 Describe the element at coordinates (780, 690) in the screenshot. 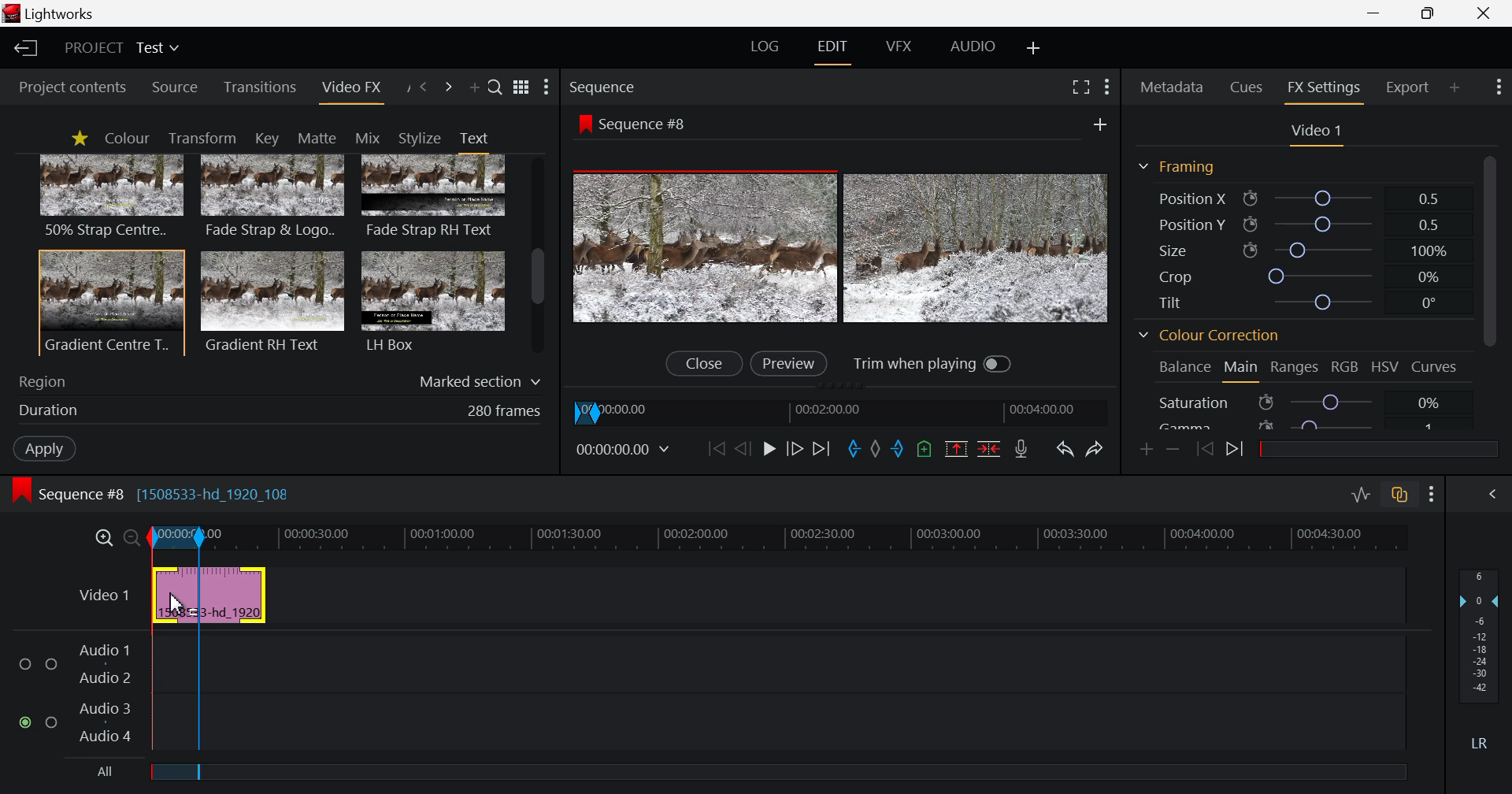

I see `Audio Input Field` at that location.